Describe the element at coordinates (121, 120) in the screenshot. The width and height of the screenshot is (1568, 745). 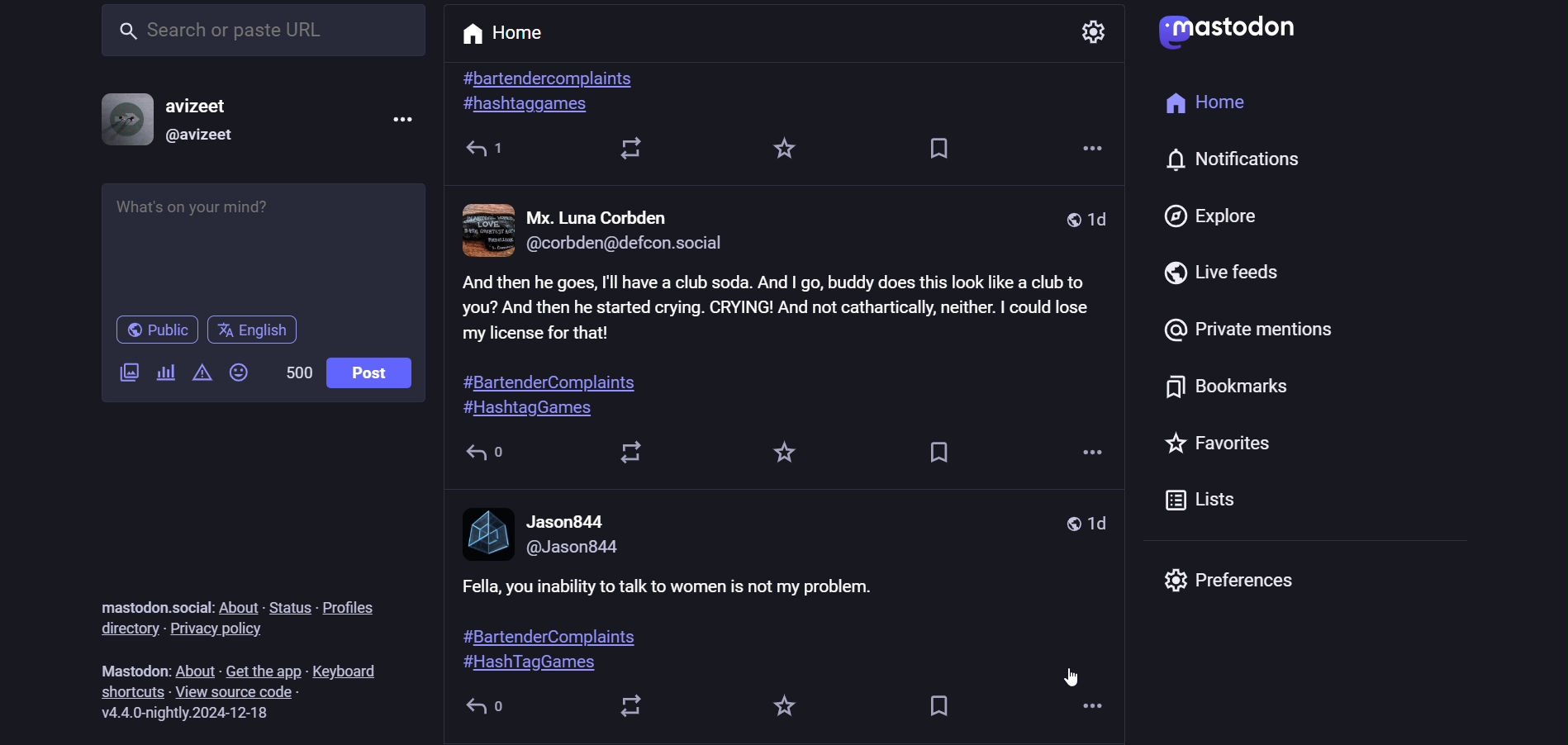
I see `profile picture` at that location.